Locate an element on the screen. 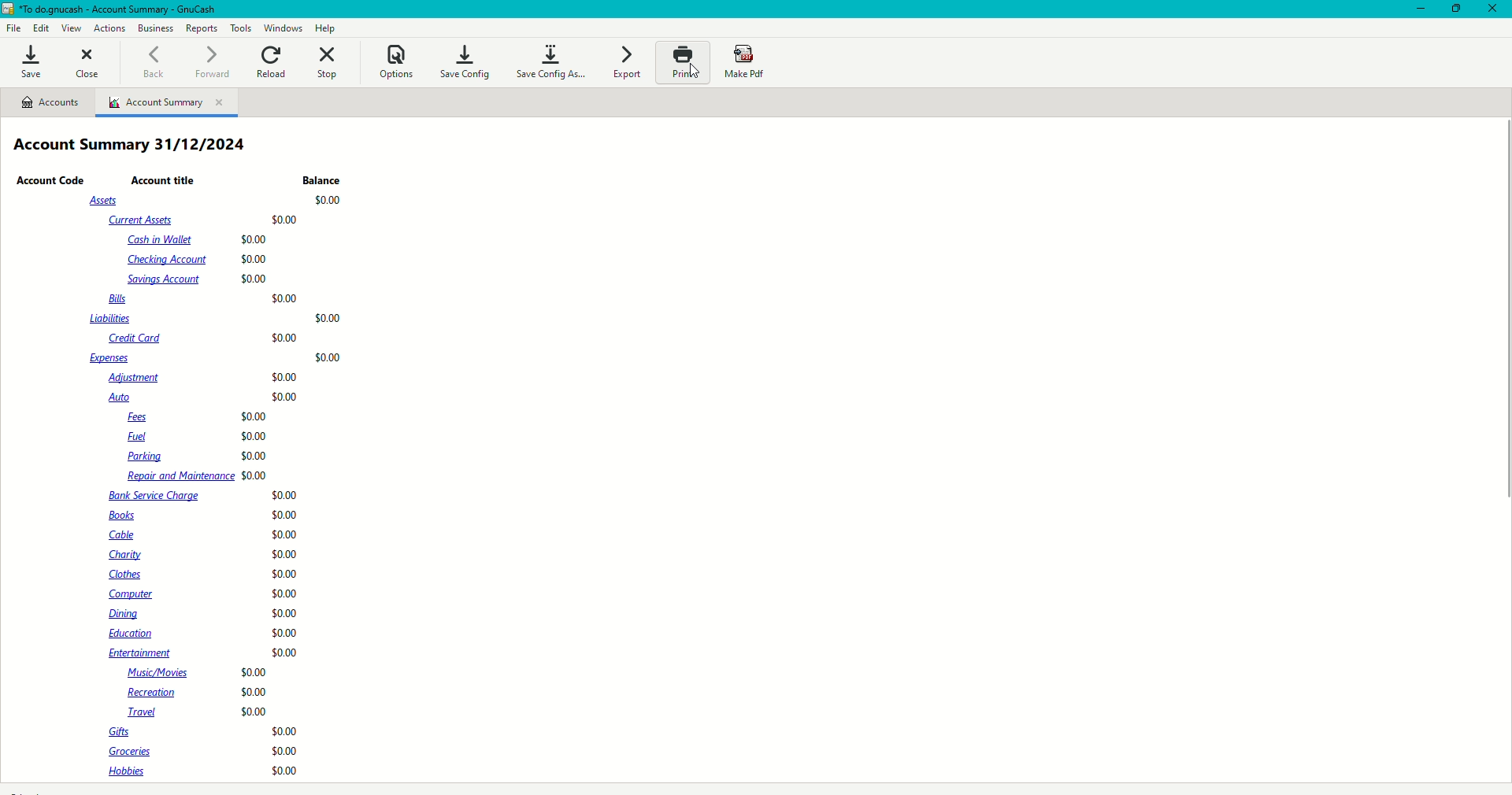 Image resolution: width=1512 pixels, height=795 pixels. Back is located at coordinates (150, 61).